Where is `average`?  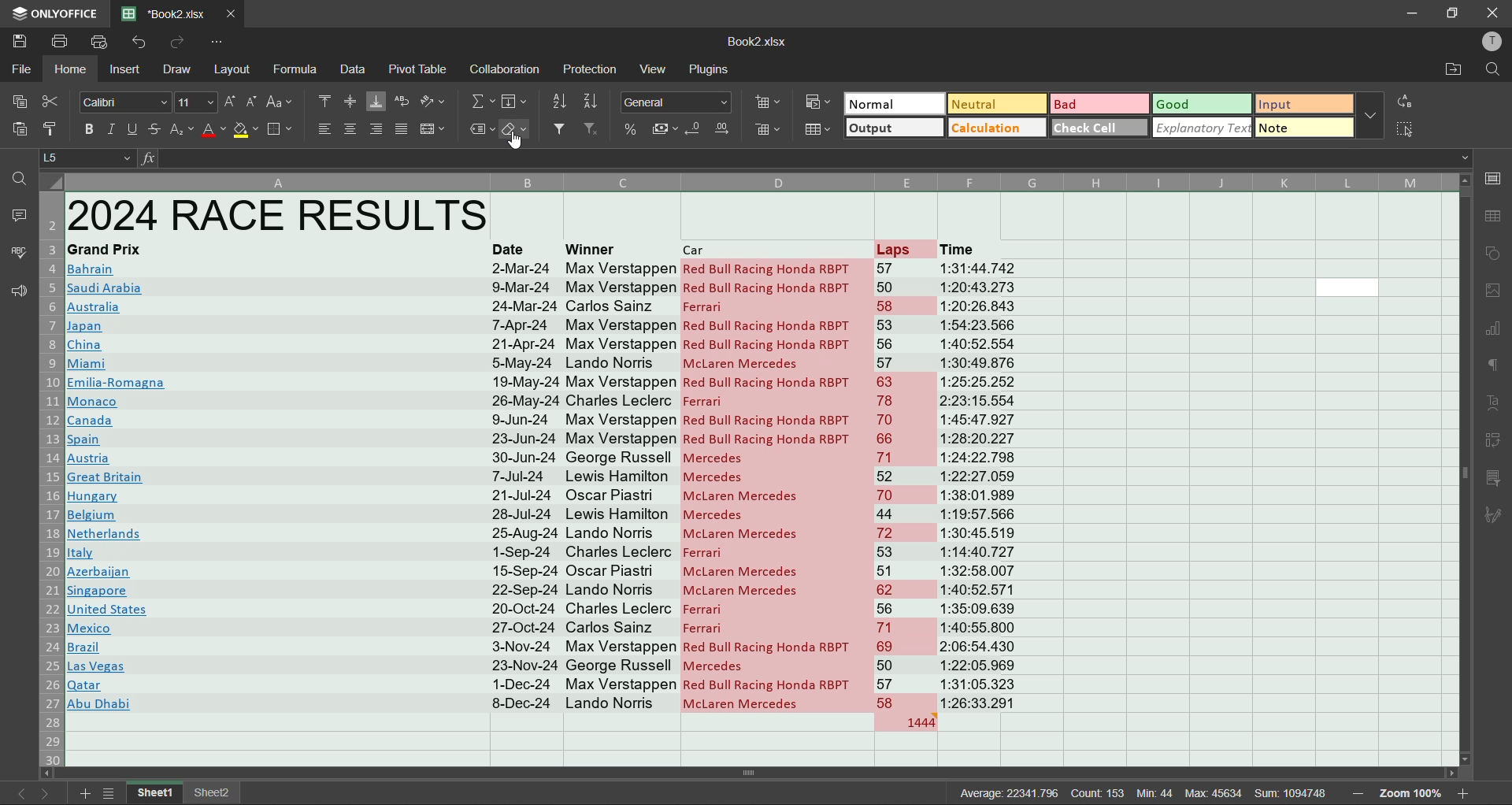
average is located at coordinates (1007, 793).